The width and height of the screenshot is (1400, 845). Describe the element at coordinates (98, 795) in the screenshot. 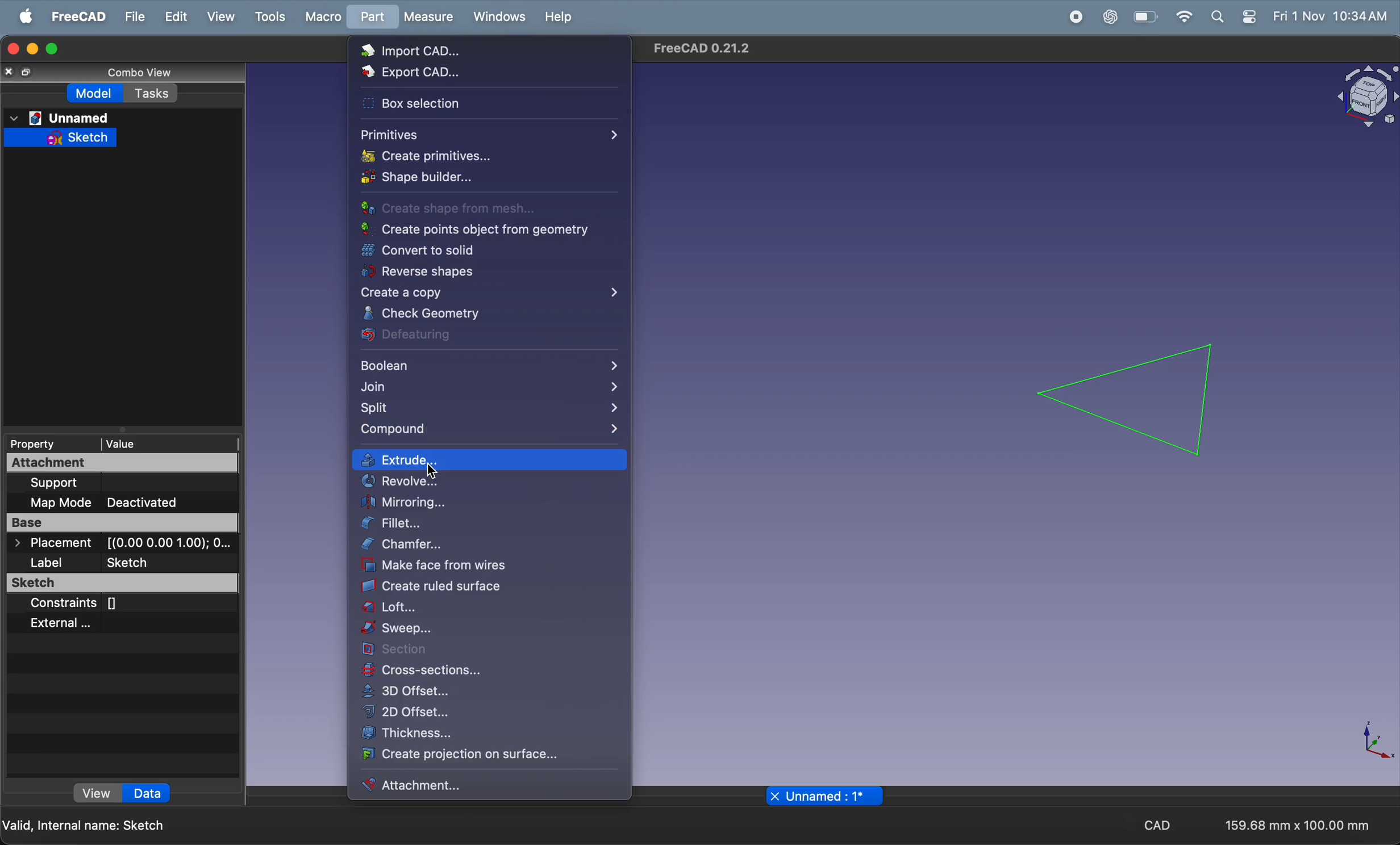

I see `view` at that location.